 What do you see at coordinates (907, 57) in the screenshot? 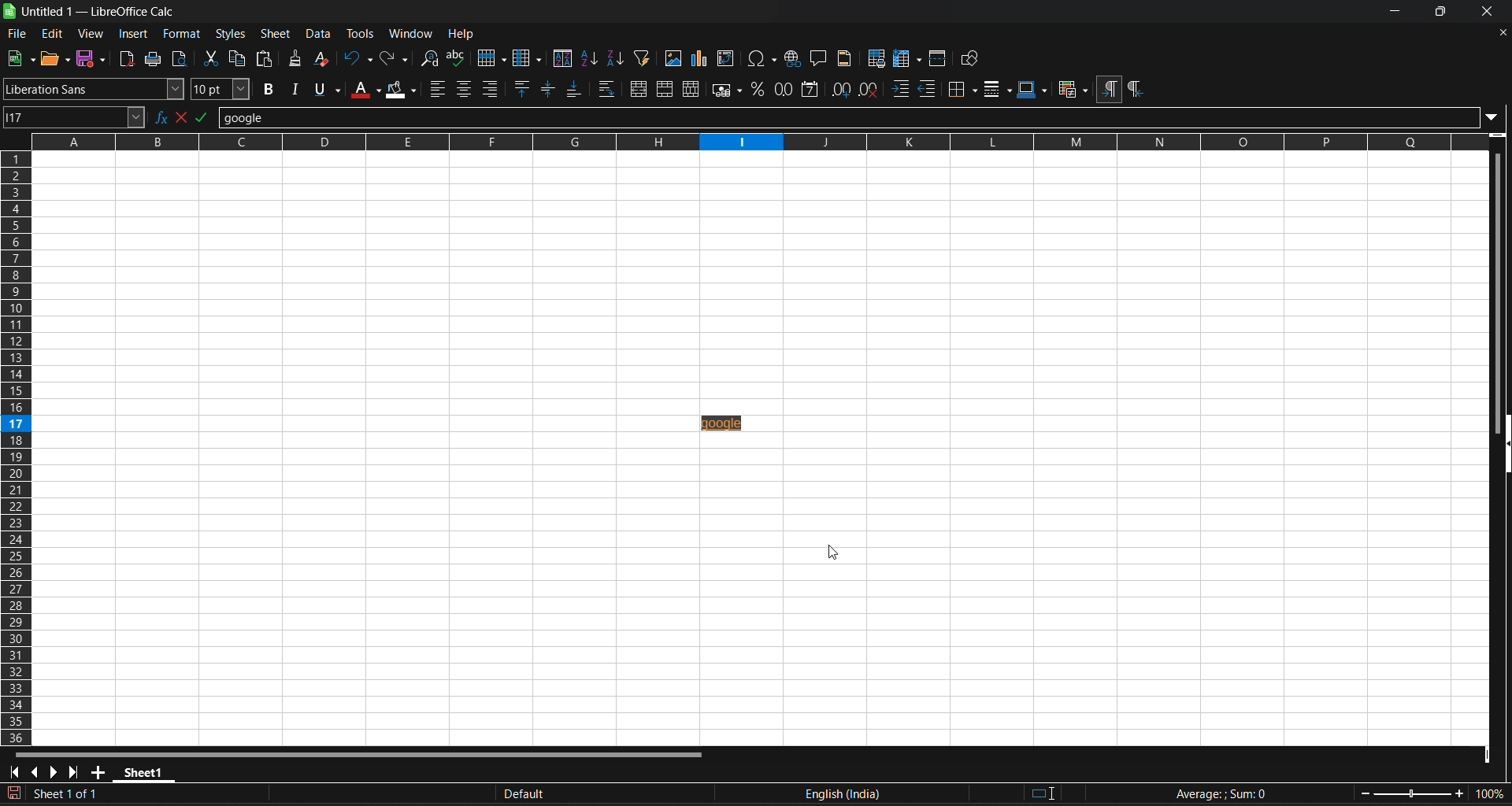
I see `freeze row and column` at bounding box center [907, 57].